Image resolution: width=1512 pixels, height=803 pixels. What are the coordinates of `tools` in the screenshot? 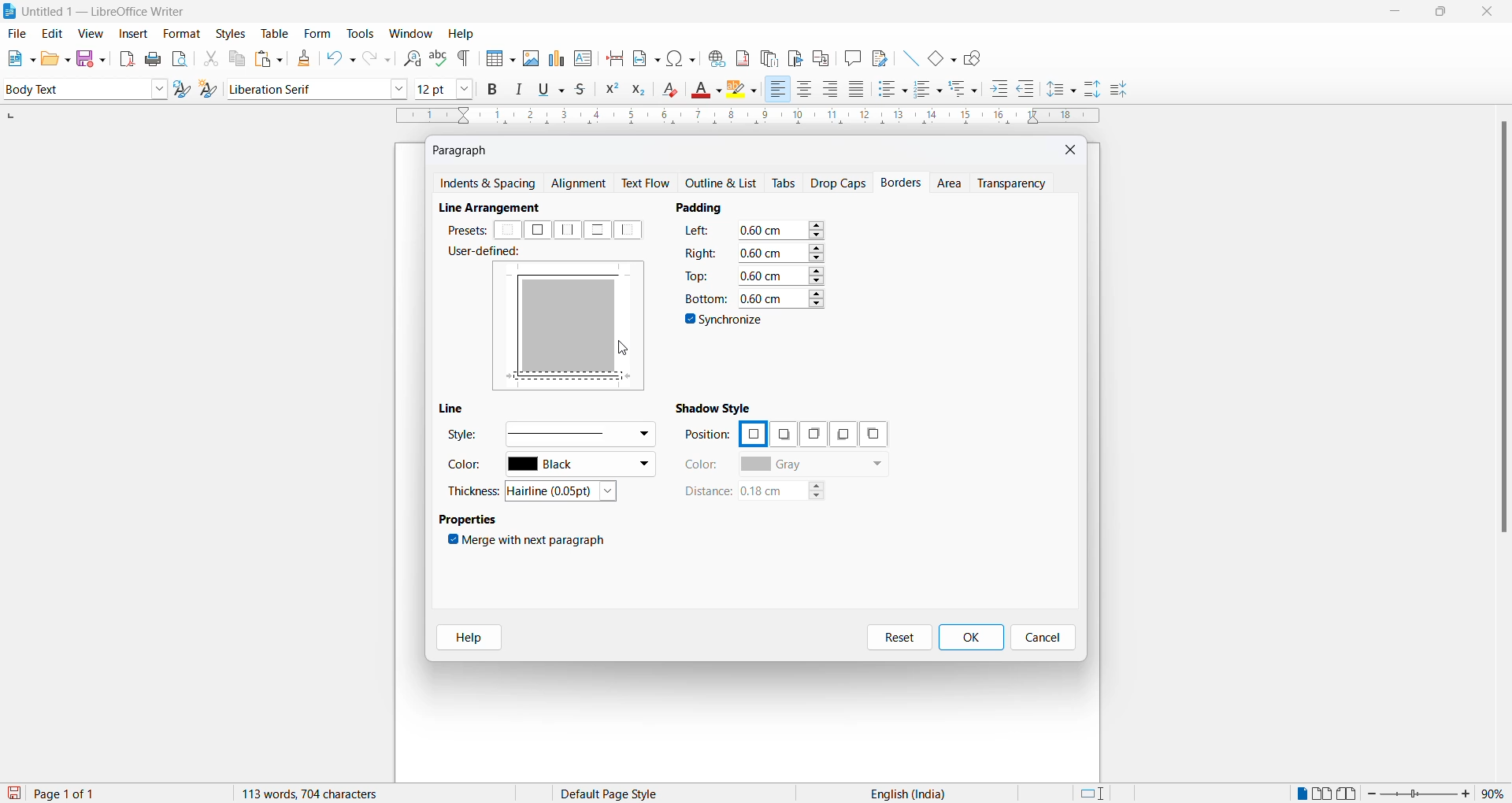 It's located at (360, 34).